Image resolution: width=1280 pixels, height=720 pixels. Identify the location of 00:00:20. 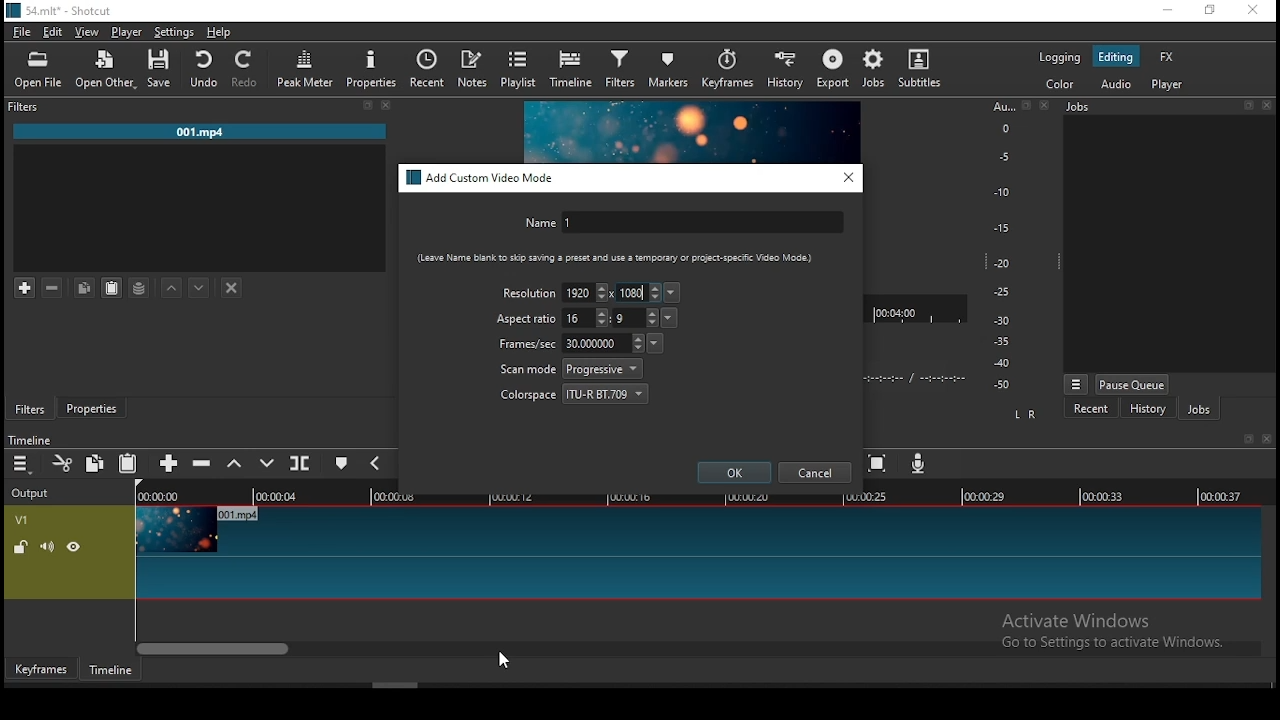
(746, 495).